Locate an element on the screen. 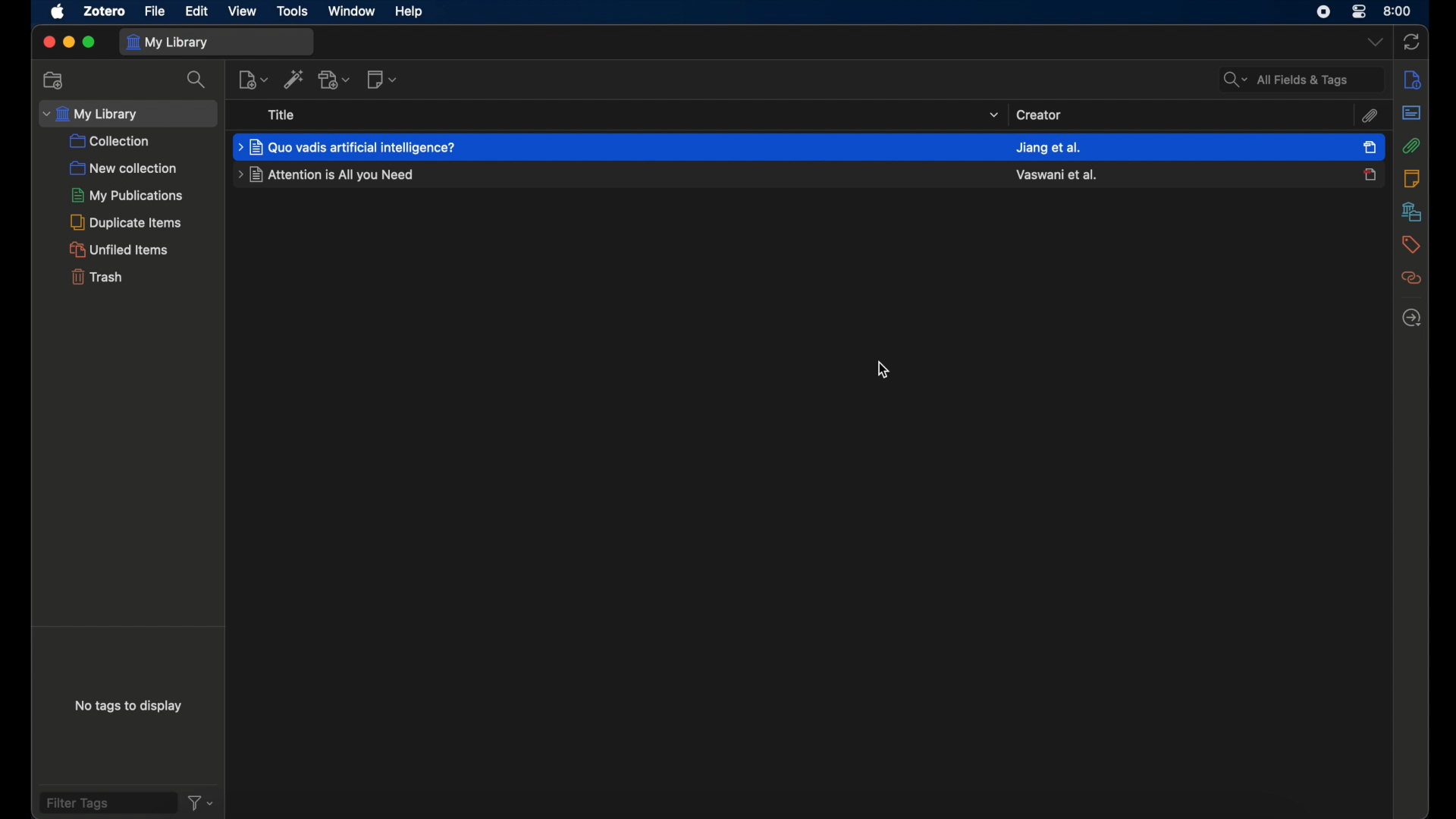 The height and width of the screenshot is (819, 1456). close is located at coordinates (48, 42).